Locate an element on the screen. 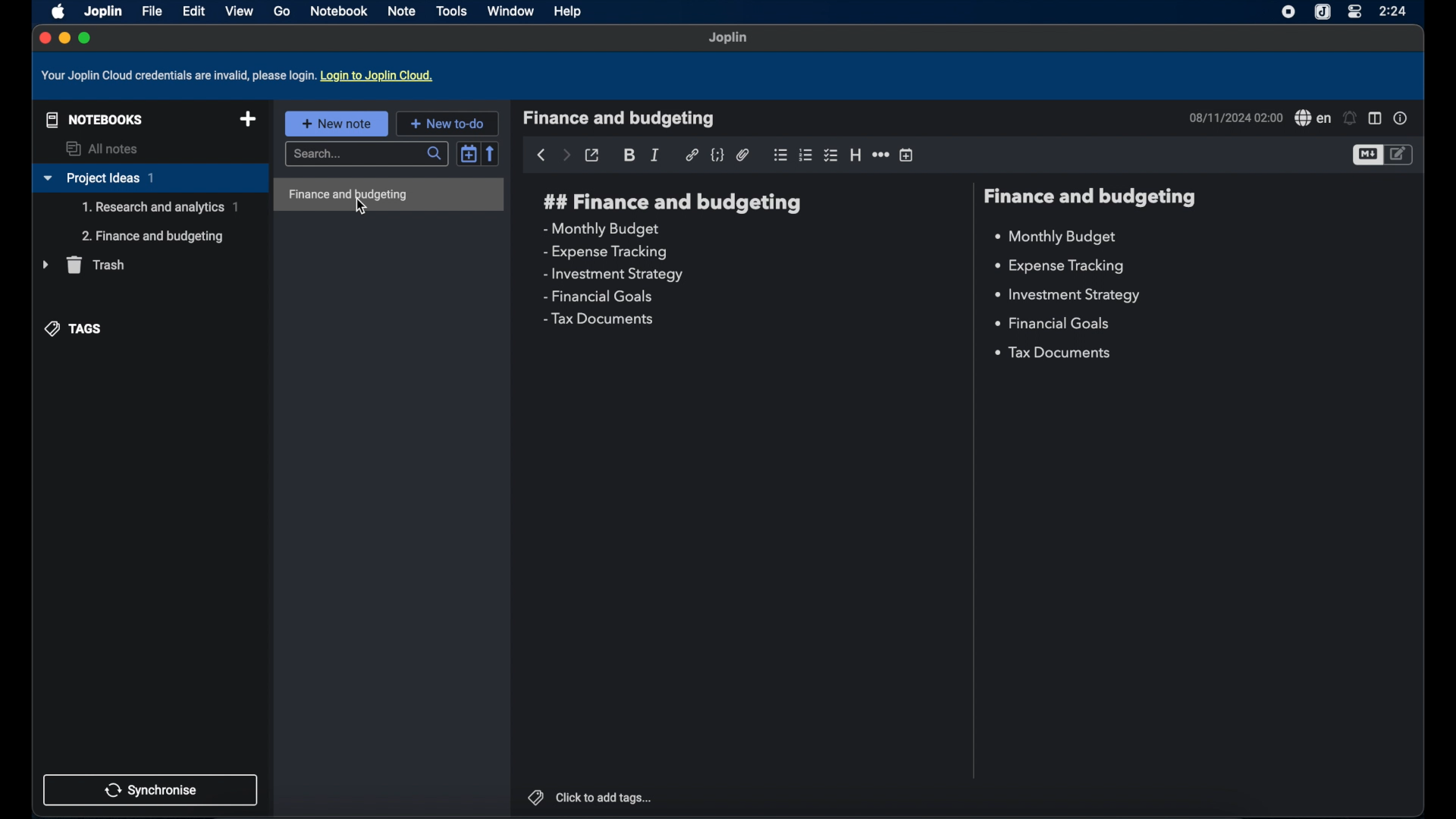  tax documents is located at coordinates (1055, 354).